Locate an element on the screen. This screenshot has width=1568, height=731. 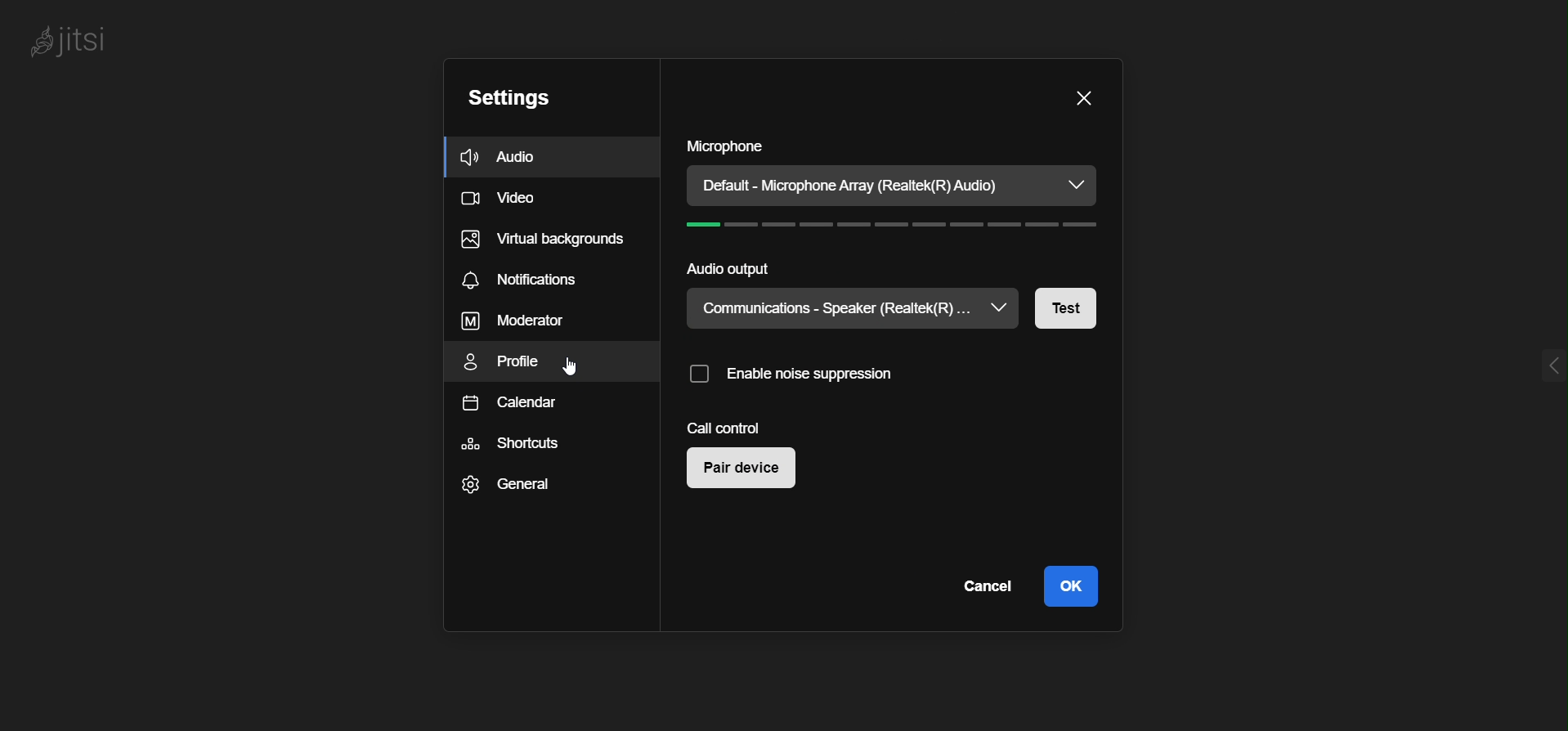
test is located at coordinates (1067, 312).